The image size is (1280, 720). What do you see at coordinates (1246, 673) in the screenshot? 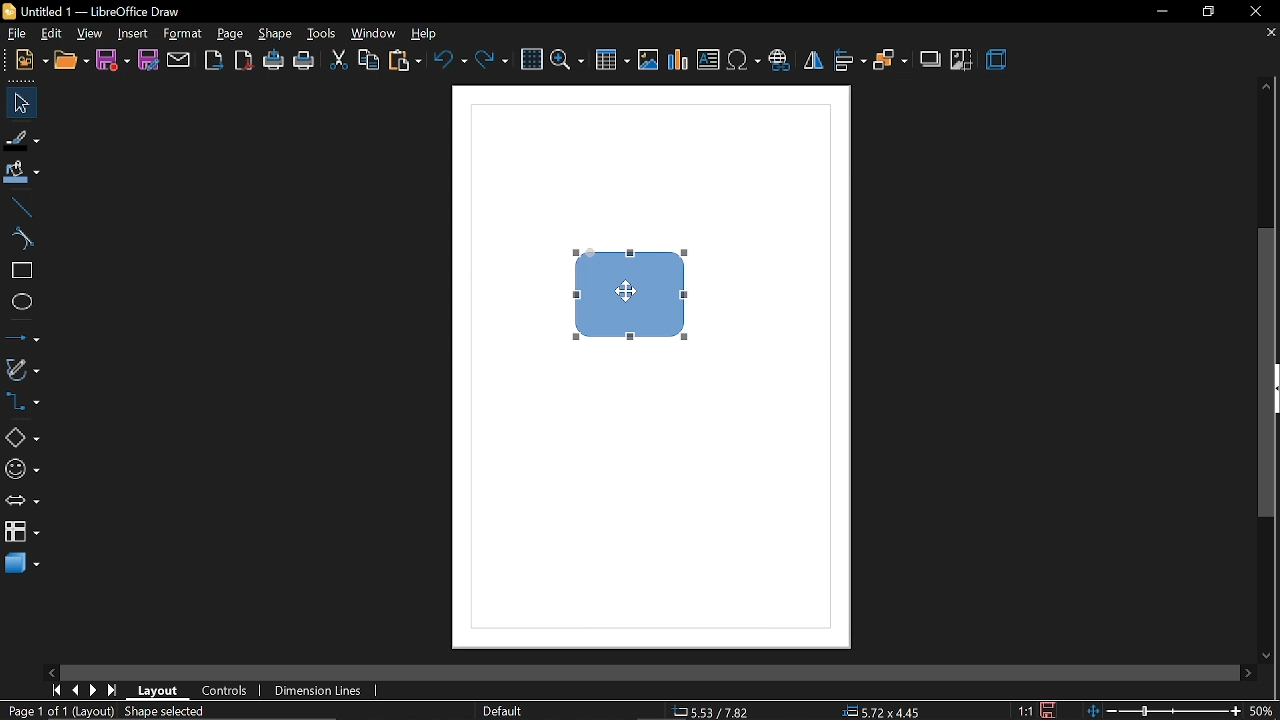
I see `move right` at bounding box center [1246, 673].